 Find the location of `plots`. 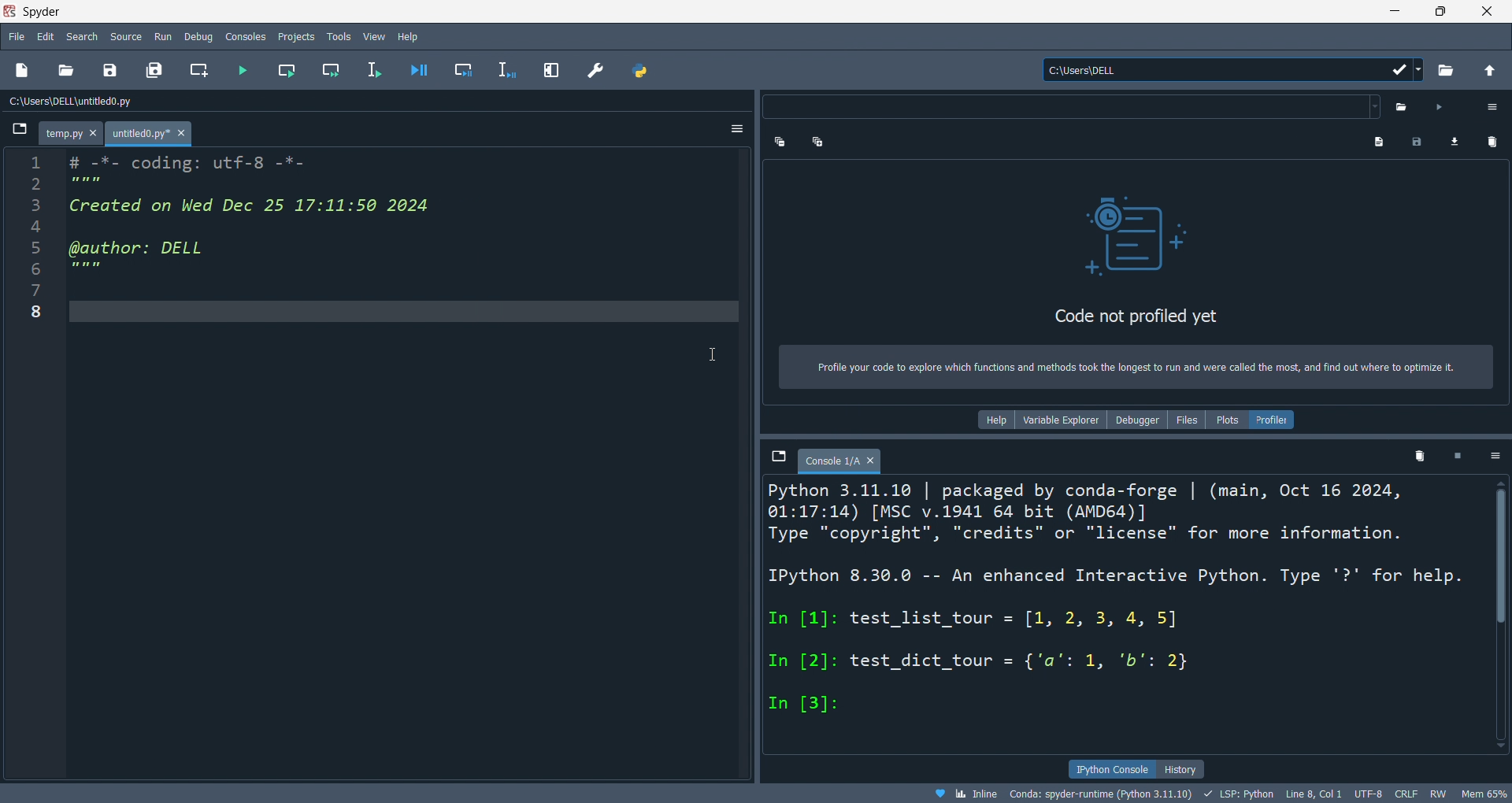

plots is located at coordinates (1228, 420).